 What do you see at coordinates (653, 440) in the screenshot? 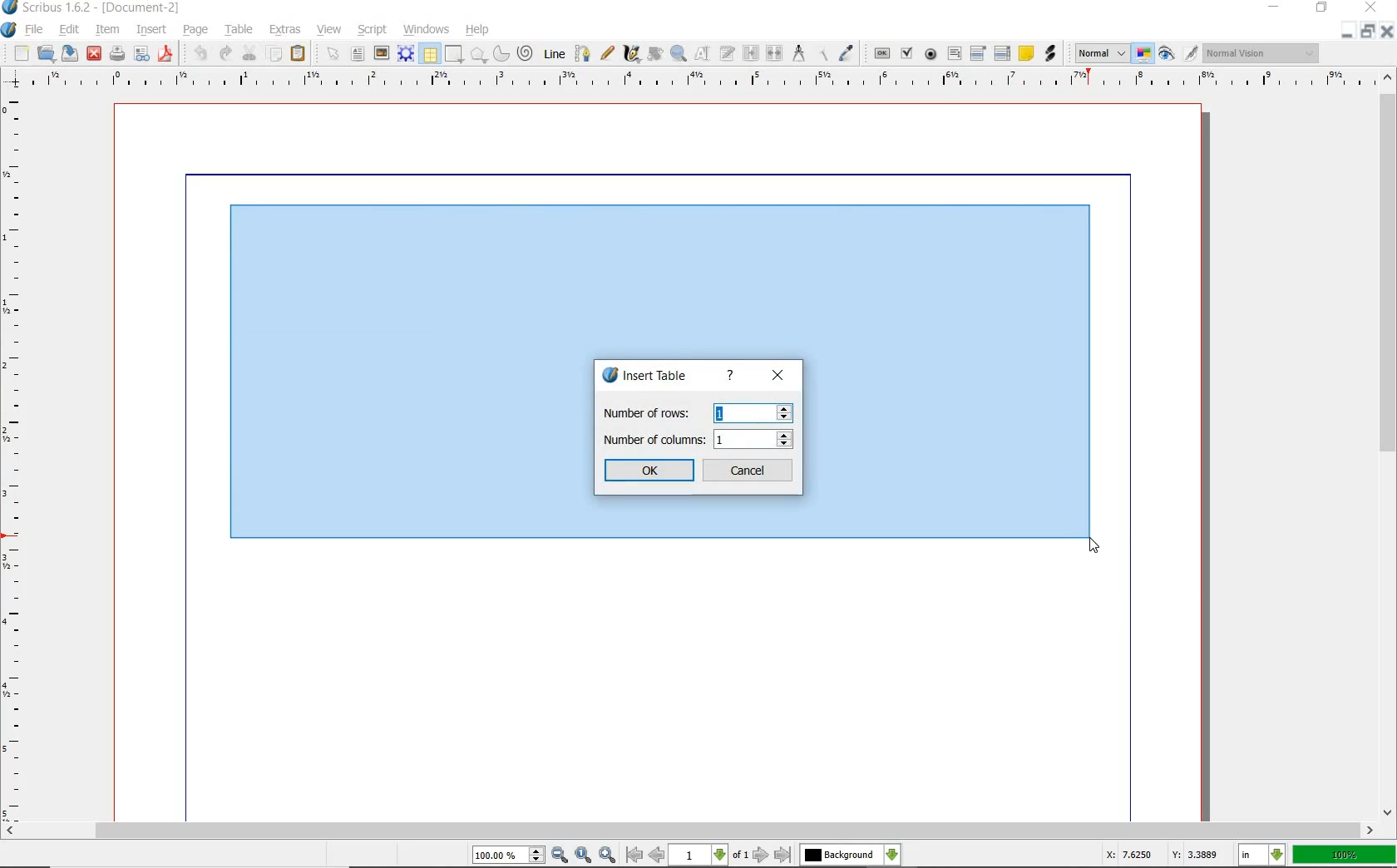
I see `Number of columns:` at bounding box center [653, 440].